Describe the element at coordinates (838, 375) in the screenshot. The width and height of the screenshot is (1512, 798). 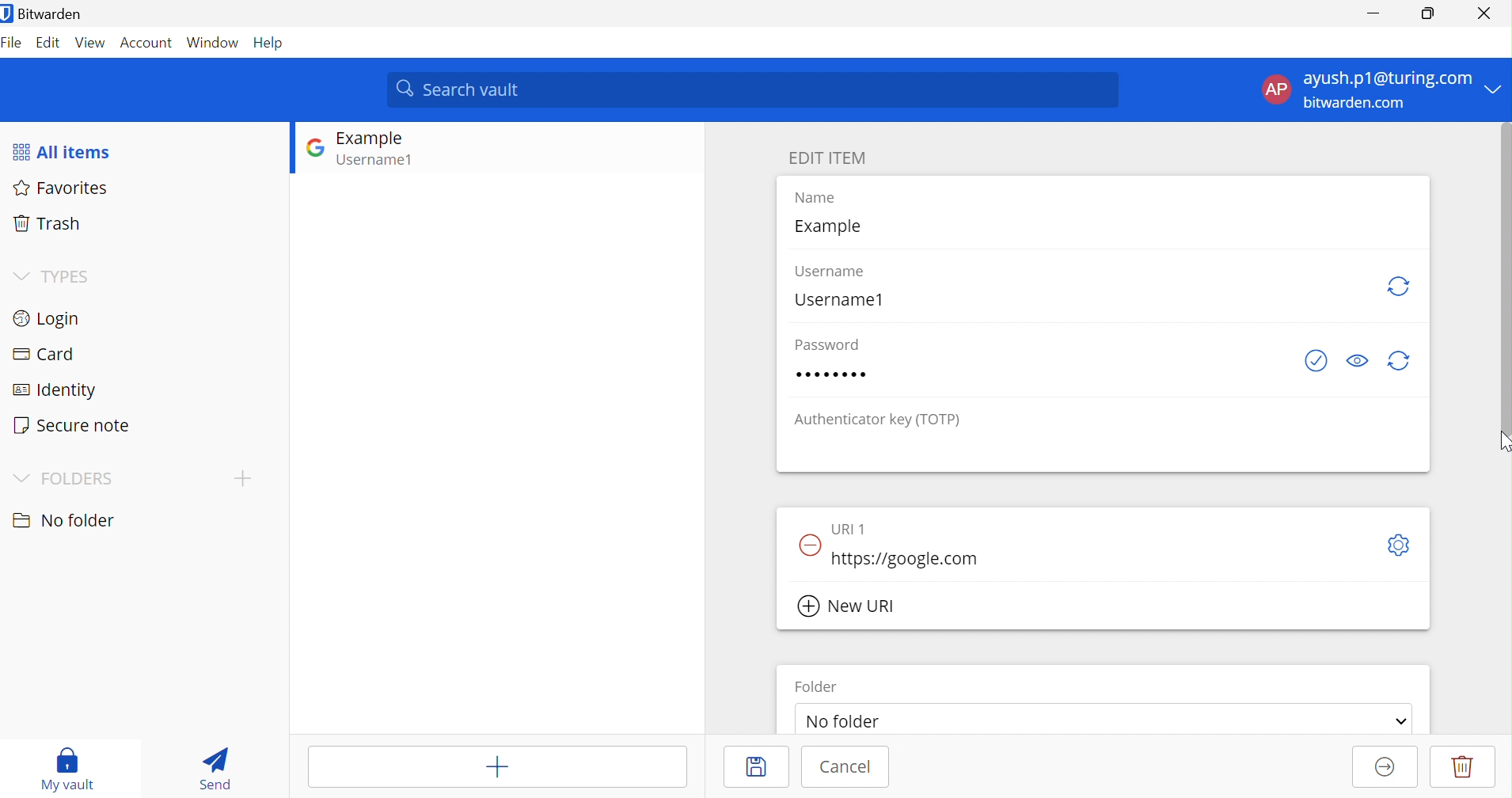
I see `Password` at that location.